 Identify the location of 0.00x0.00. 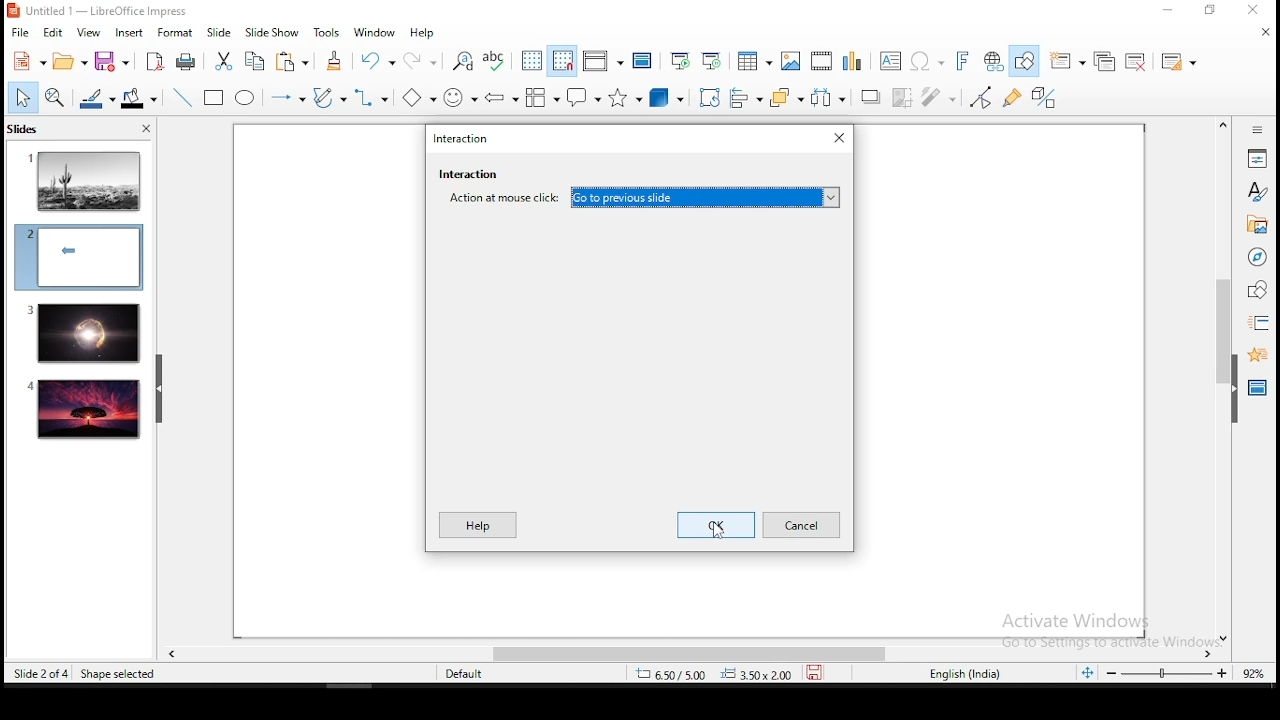
(757, 674).